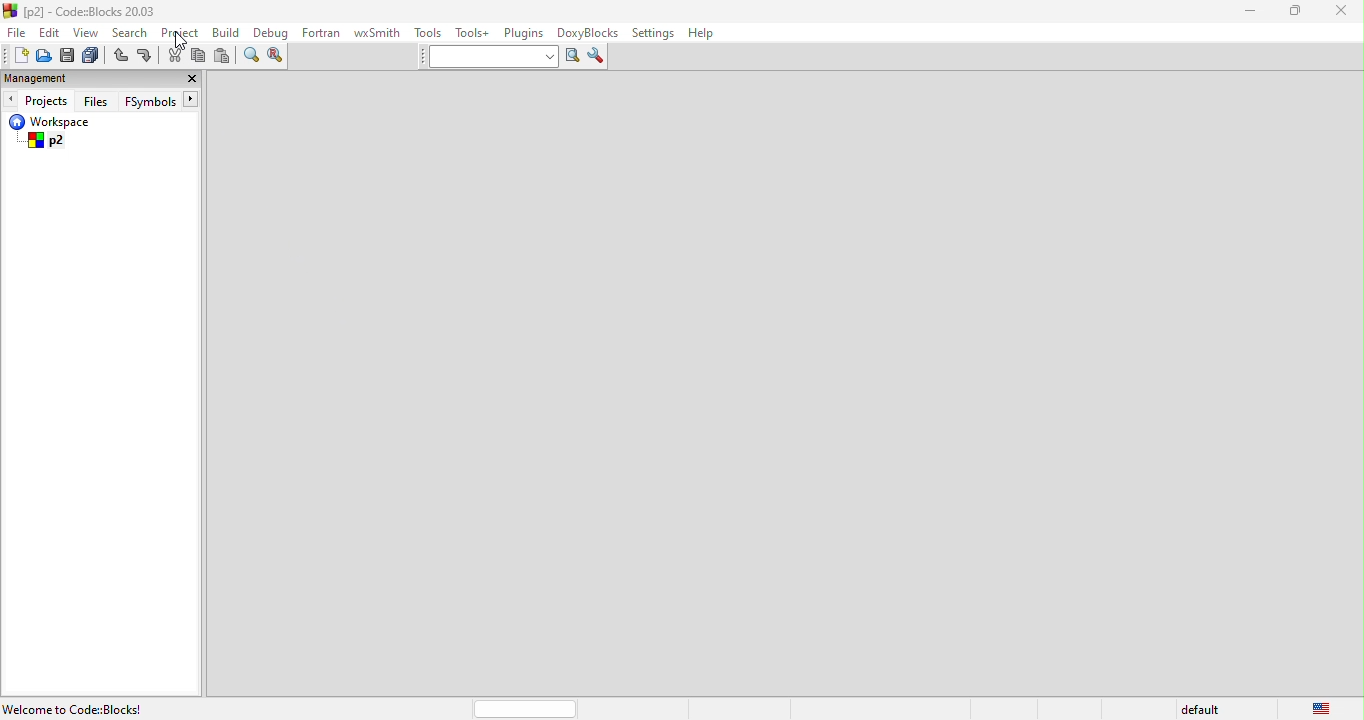 The height and width of the screenshot is (720, 1364). What do you see at coordinates (272, 33) in the screenshot?
I see `debug` at bounding box center [272, 33].